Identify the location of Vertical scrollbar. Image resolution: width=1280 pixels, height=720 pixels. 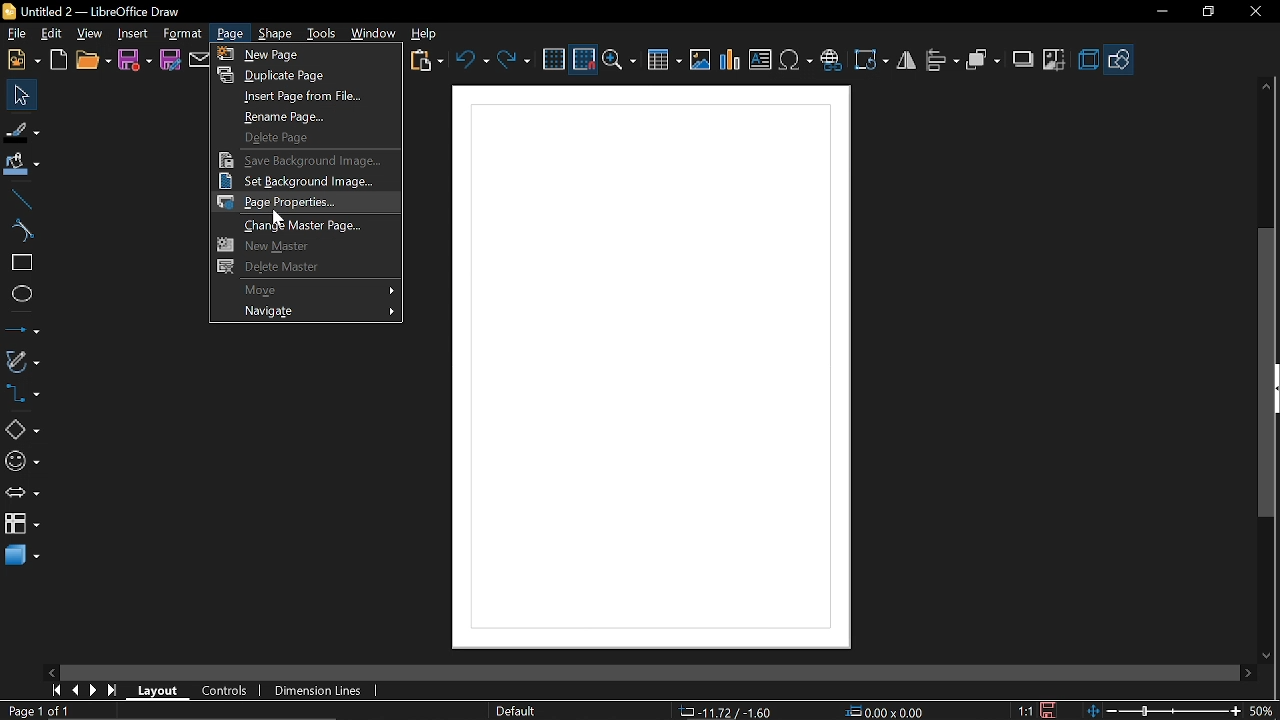
(1271, 373).